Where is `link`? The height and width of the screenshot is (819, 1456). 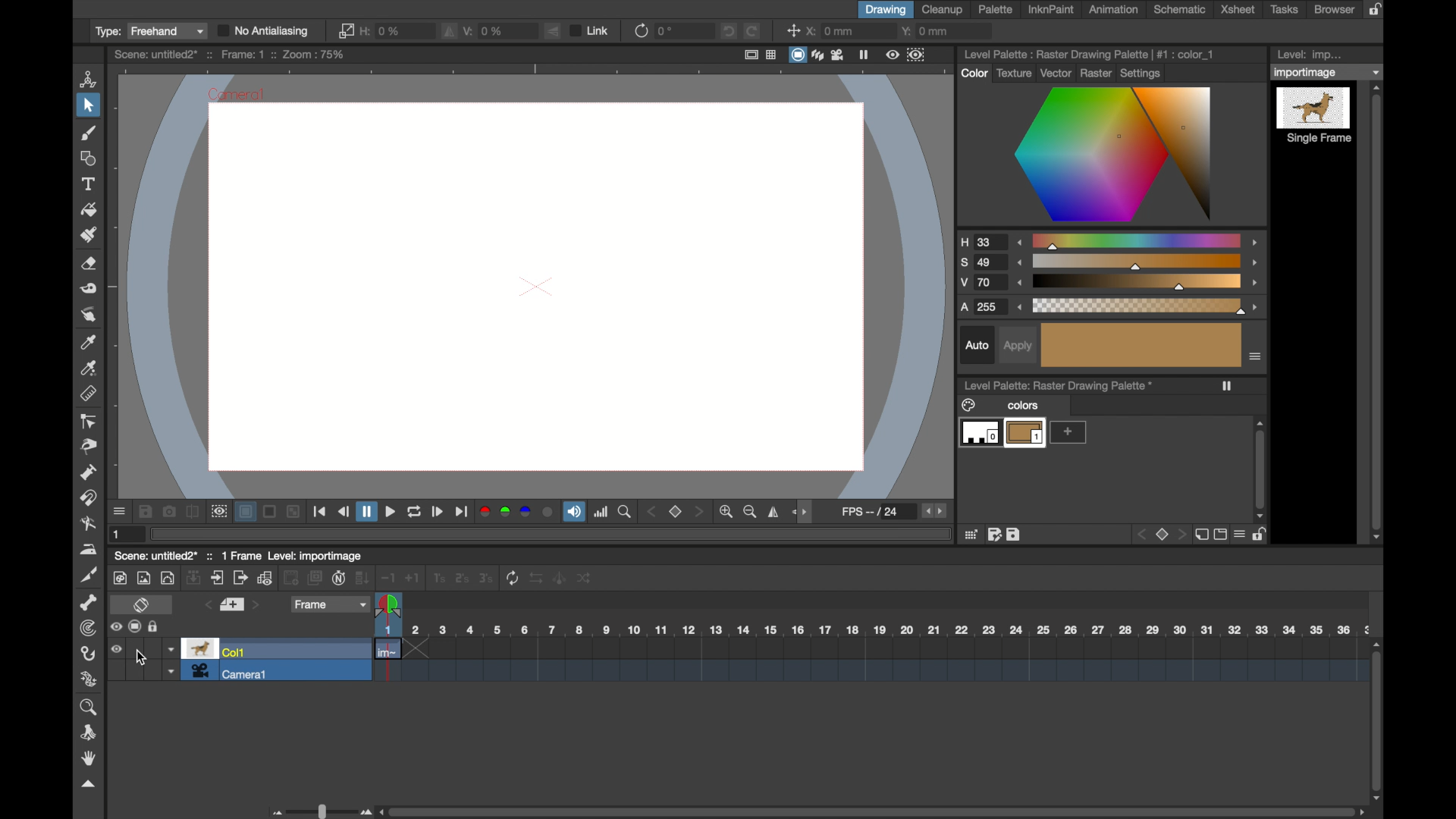
link is located at coordinates (591, 30).